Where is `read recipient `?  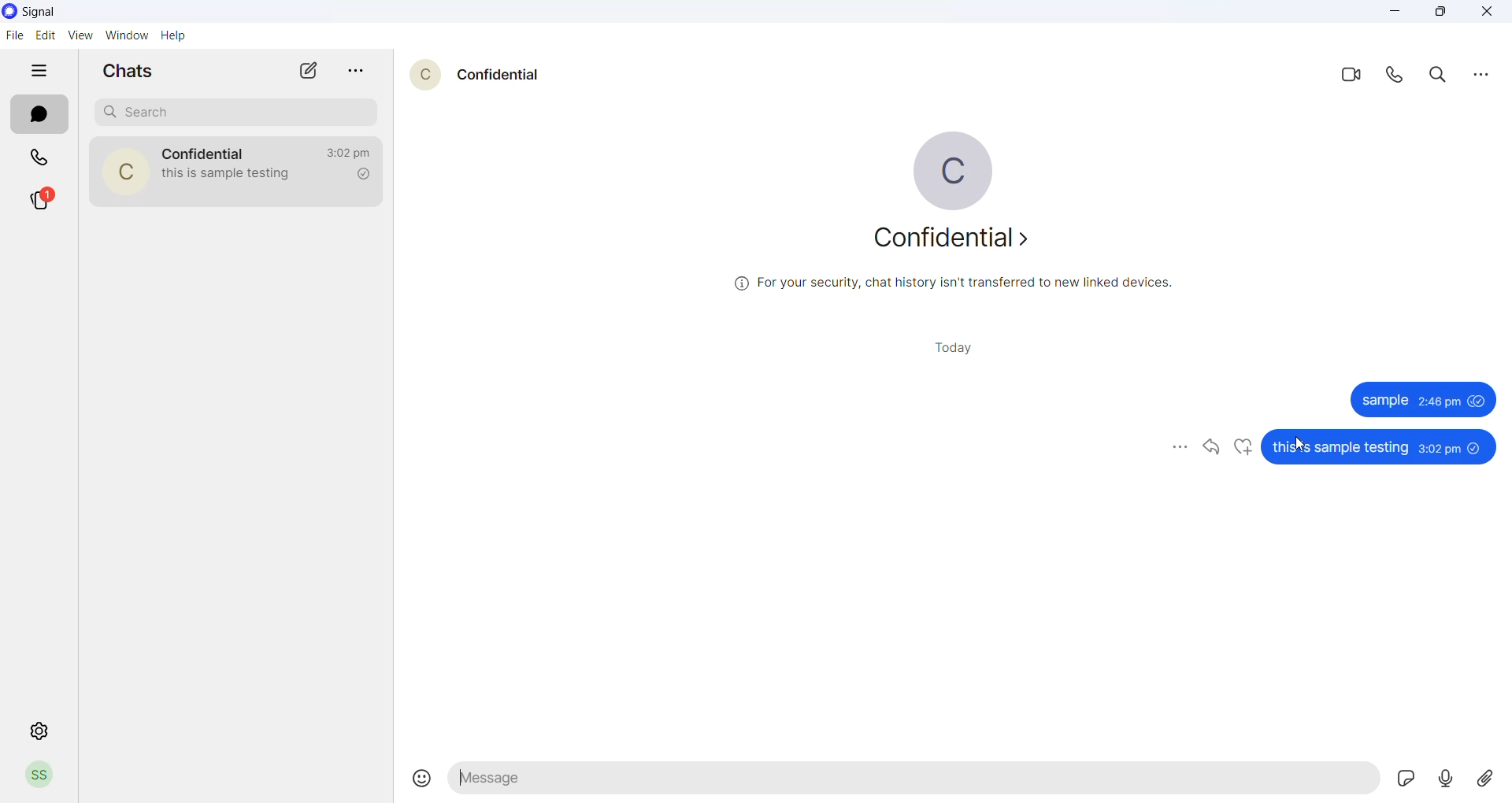 read recipient  is located at coordinates (361, 176).